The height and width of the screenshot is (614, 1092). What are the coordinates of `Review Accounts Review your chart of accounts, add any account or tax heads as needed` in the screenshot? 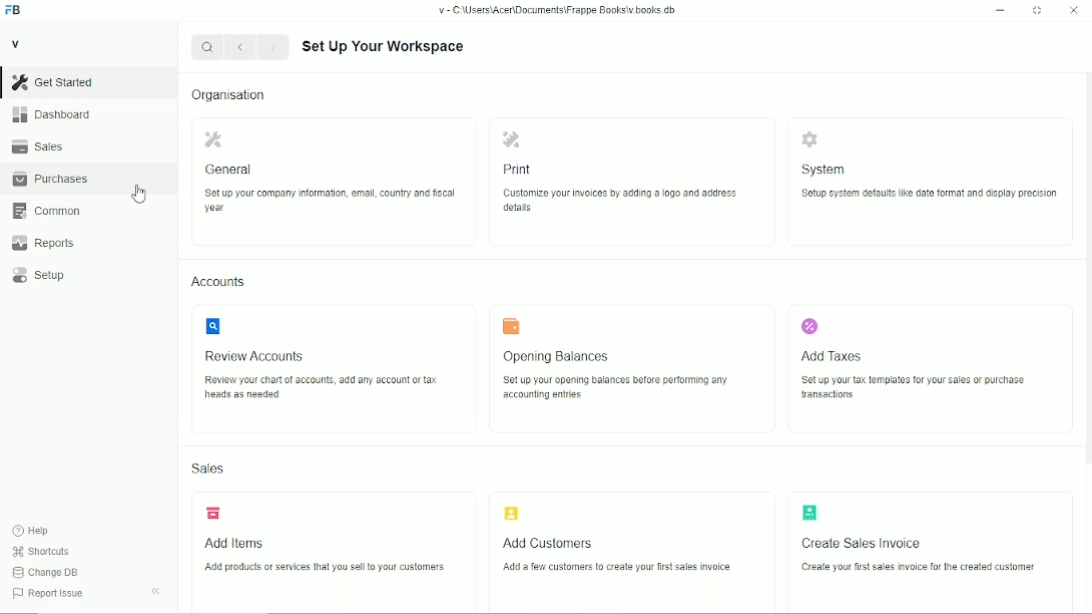 It's located at (335, 370).